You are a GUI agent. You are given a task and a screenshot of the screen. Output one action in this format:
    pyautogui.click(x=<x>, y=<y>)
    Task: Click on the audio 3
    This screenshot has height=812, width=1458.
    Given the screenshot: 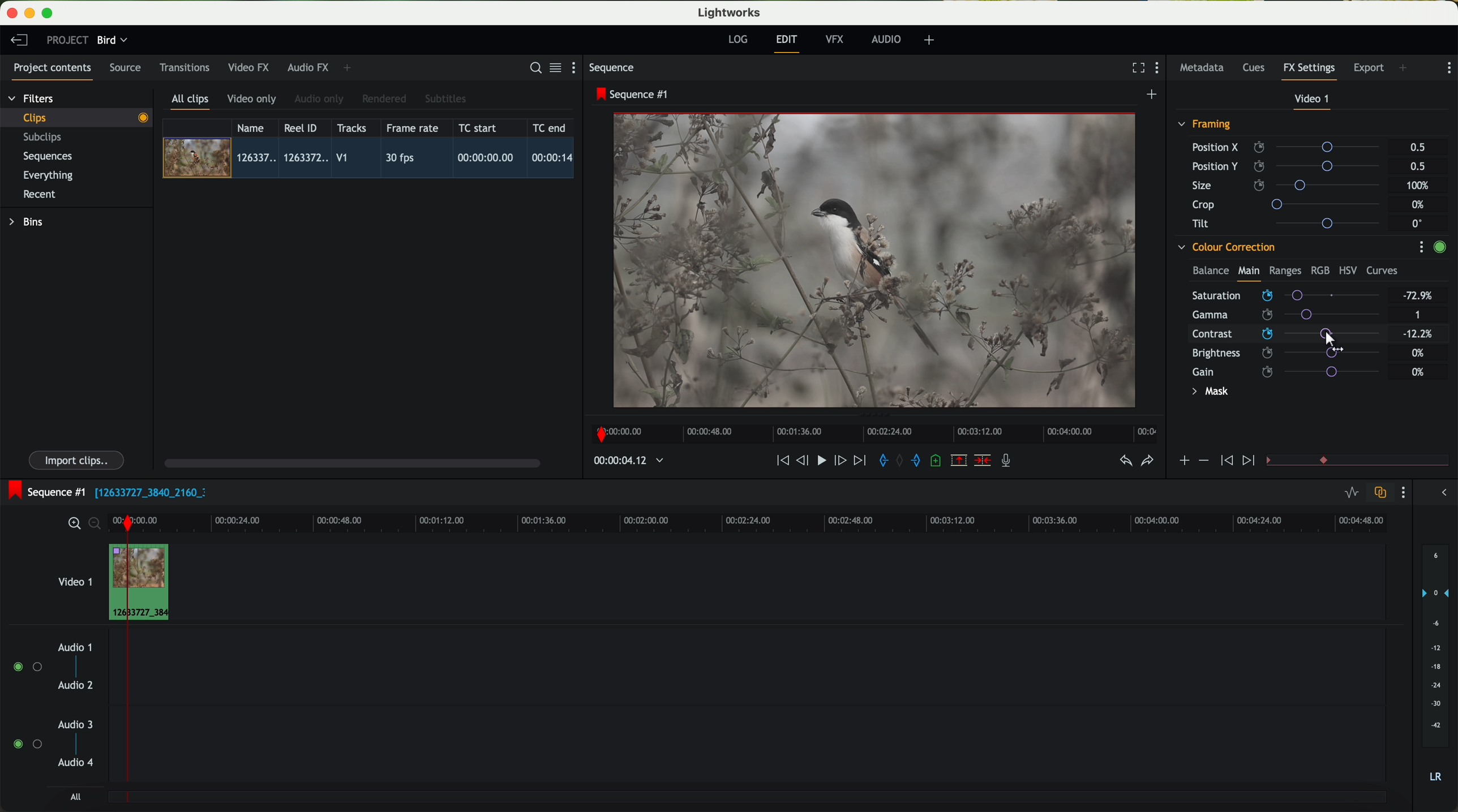 What is the action you would take?
    pyautogui.click(x=70, y=724)
    